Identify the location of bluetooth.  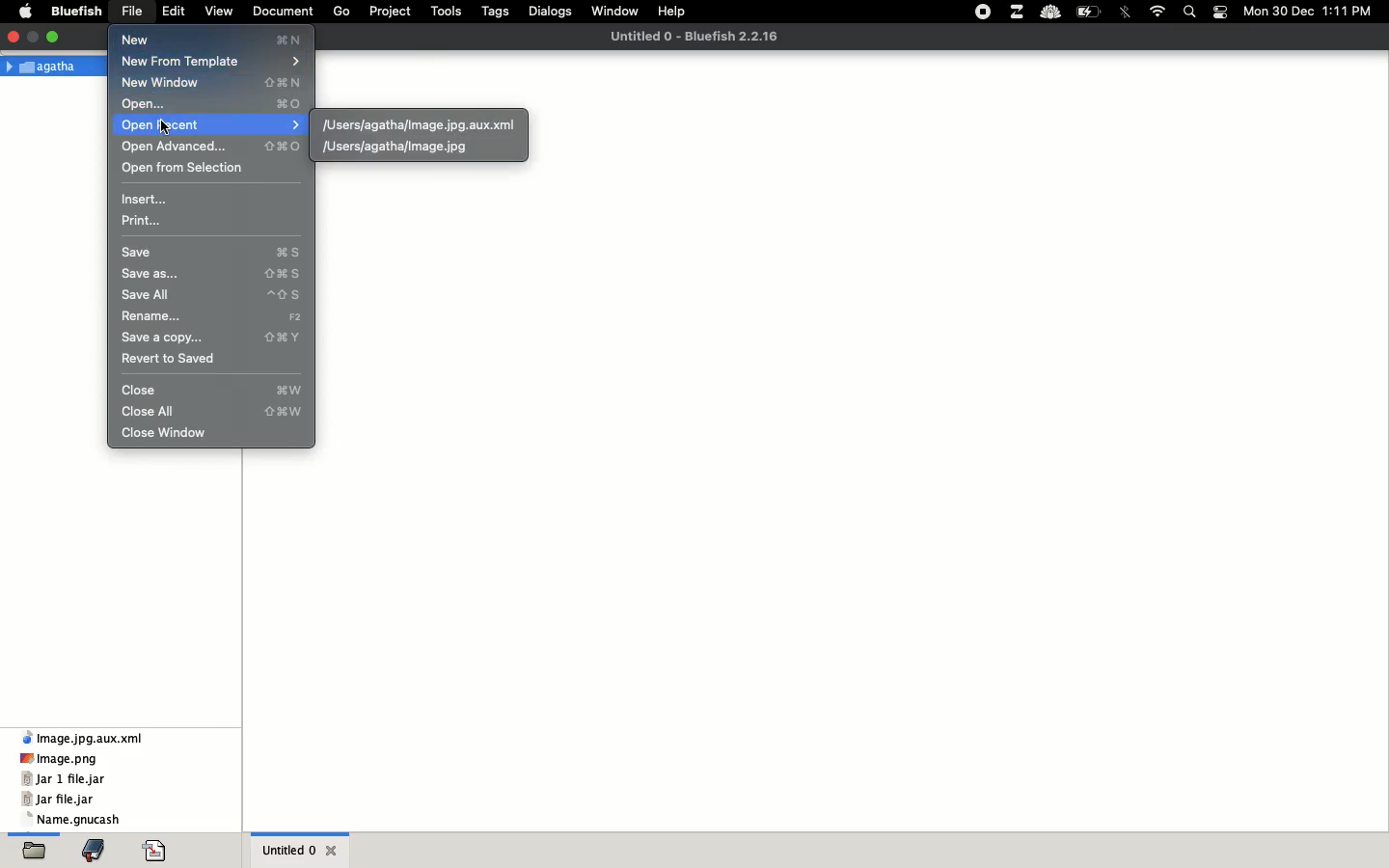
(1127, 12).